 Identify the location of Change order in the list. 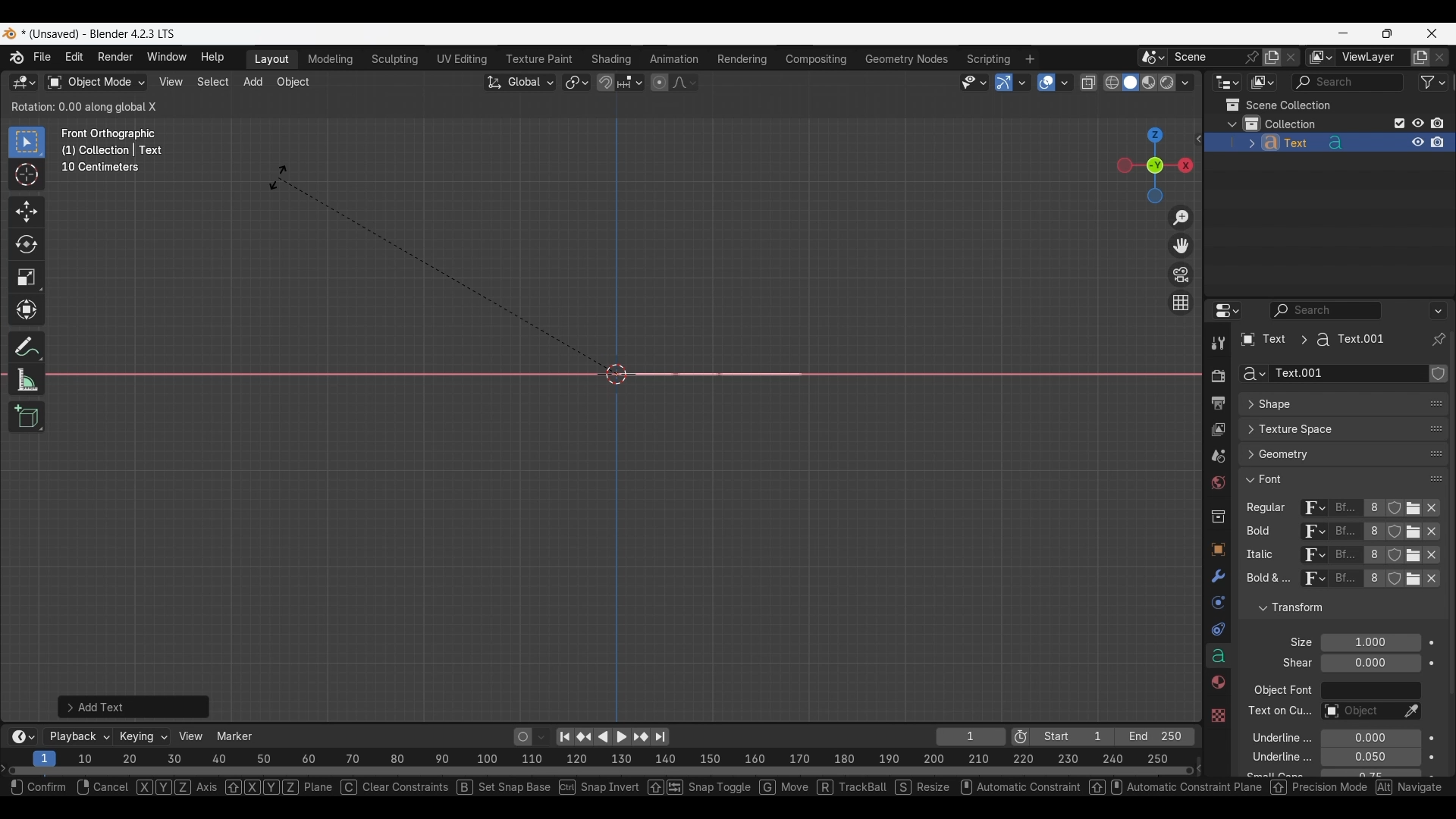
(1438, 374).